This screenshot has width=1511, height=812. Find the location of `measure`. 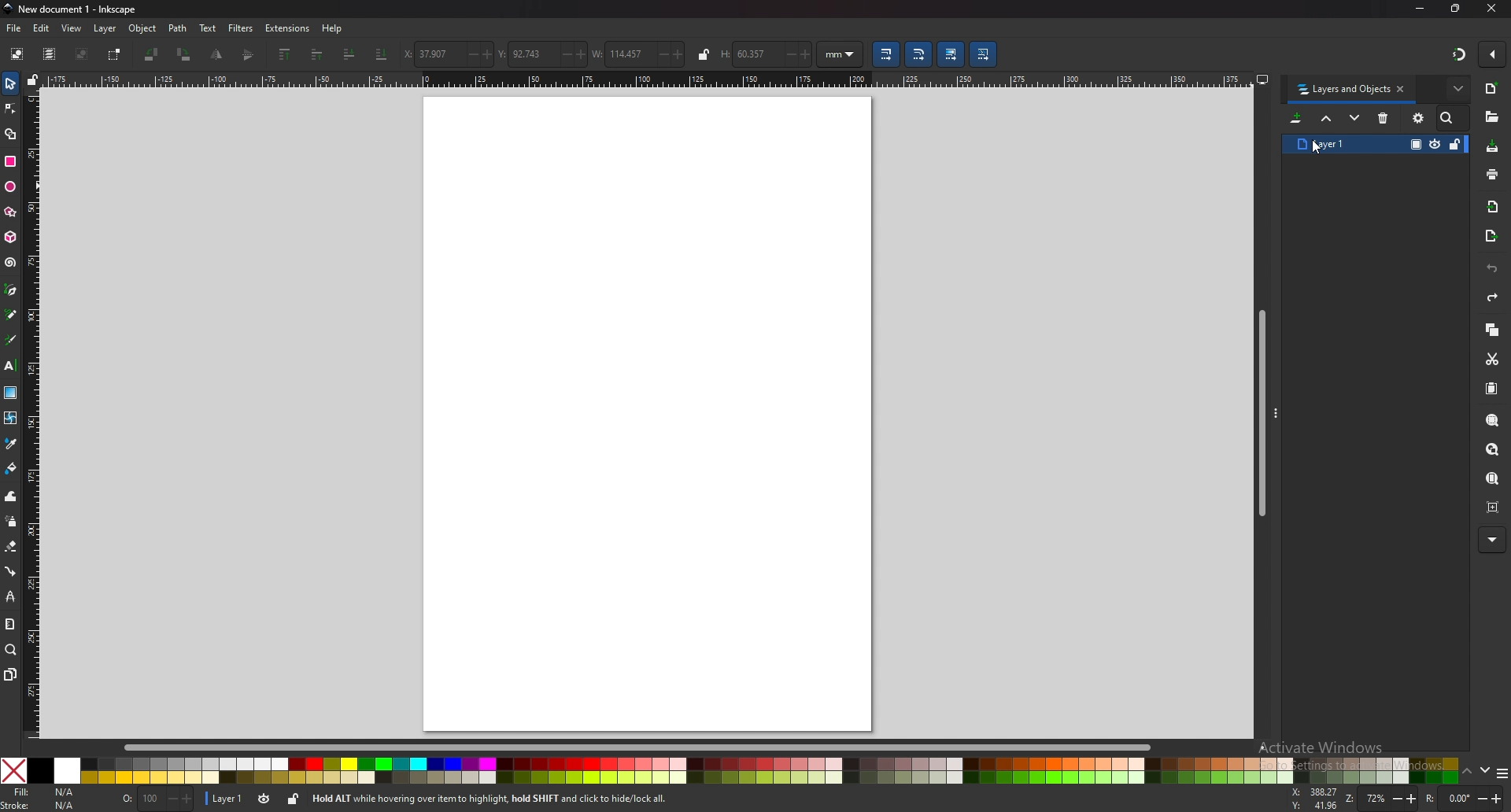

measure is located at coordinates (10, 624).